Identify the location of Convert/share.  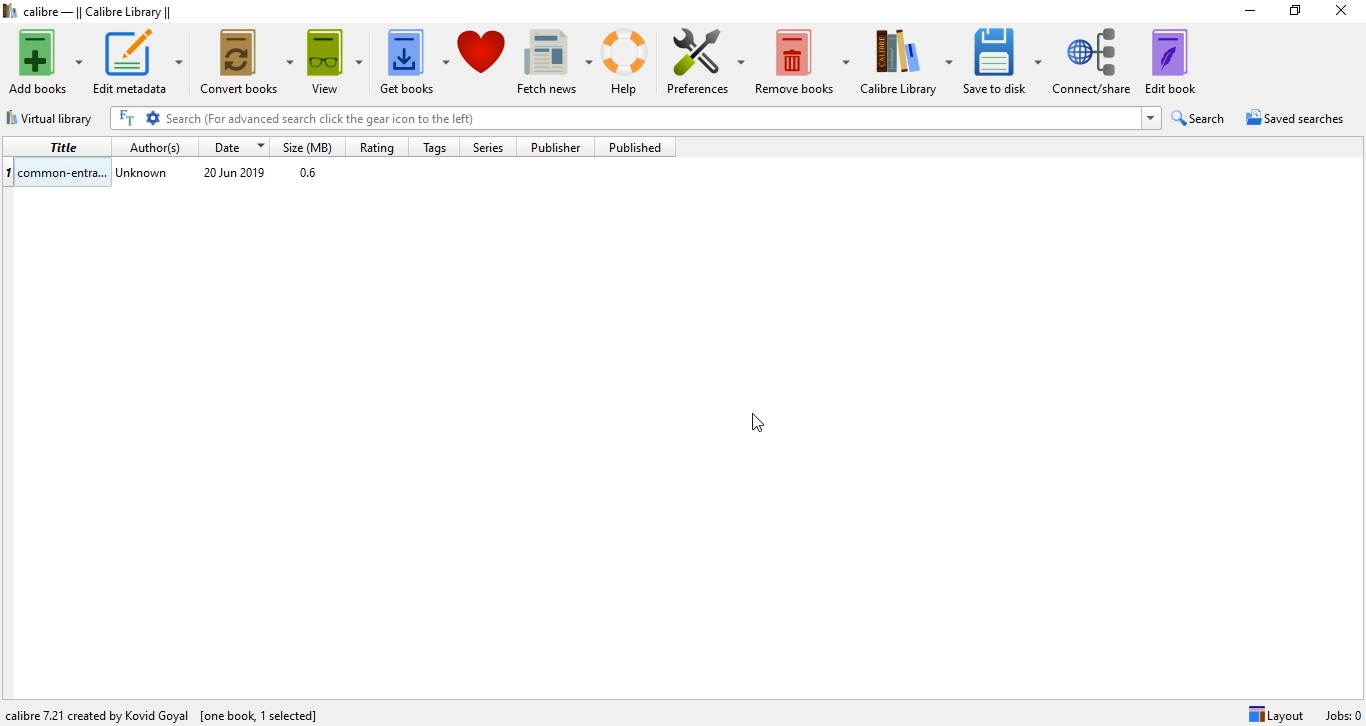
(1095, 59).